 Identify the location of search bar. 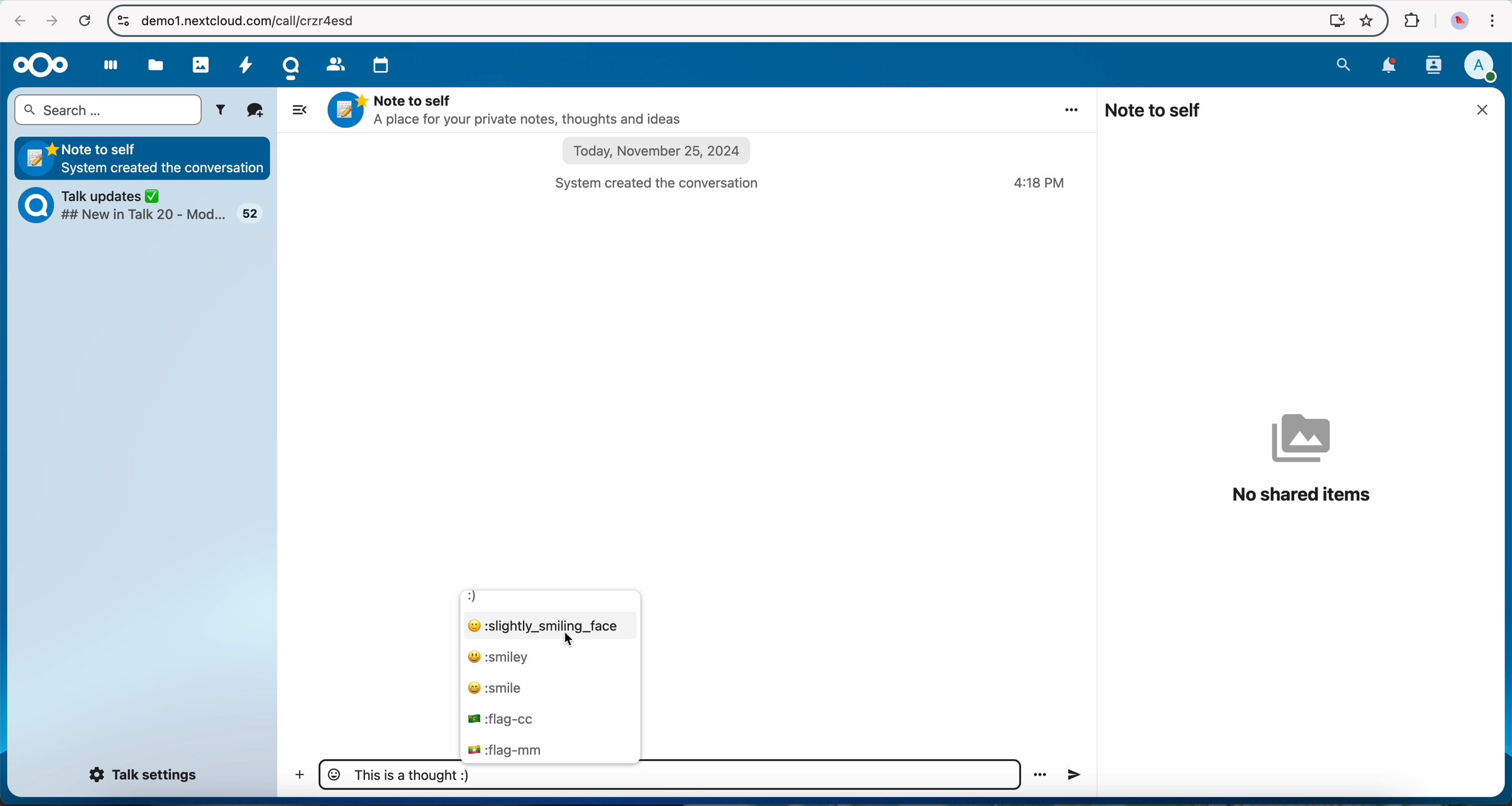
(107, 110).